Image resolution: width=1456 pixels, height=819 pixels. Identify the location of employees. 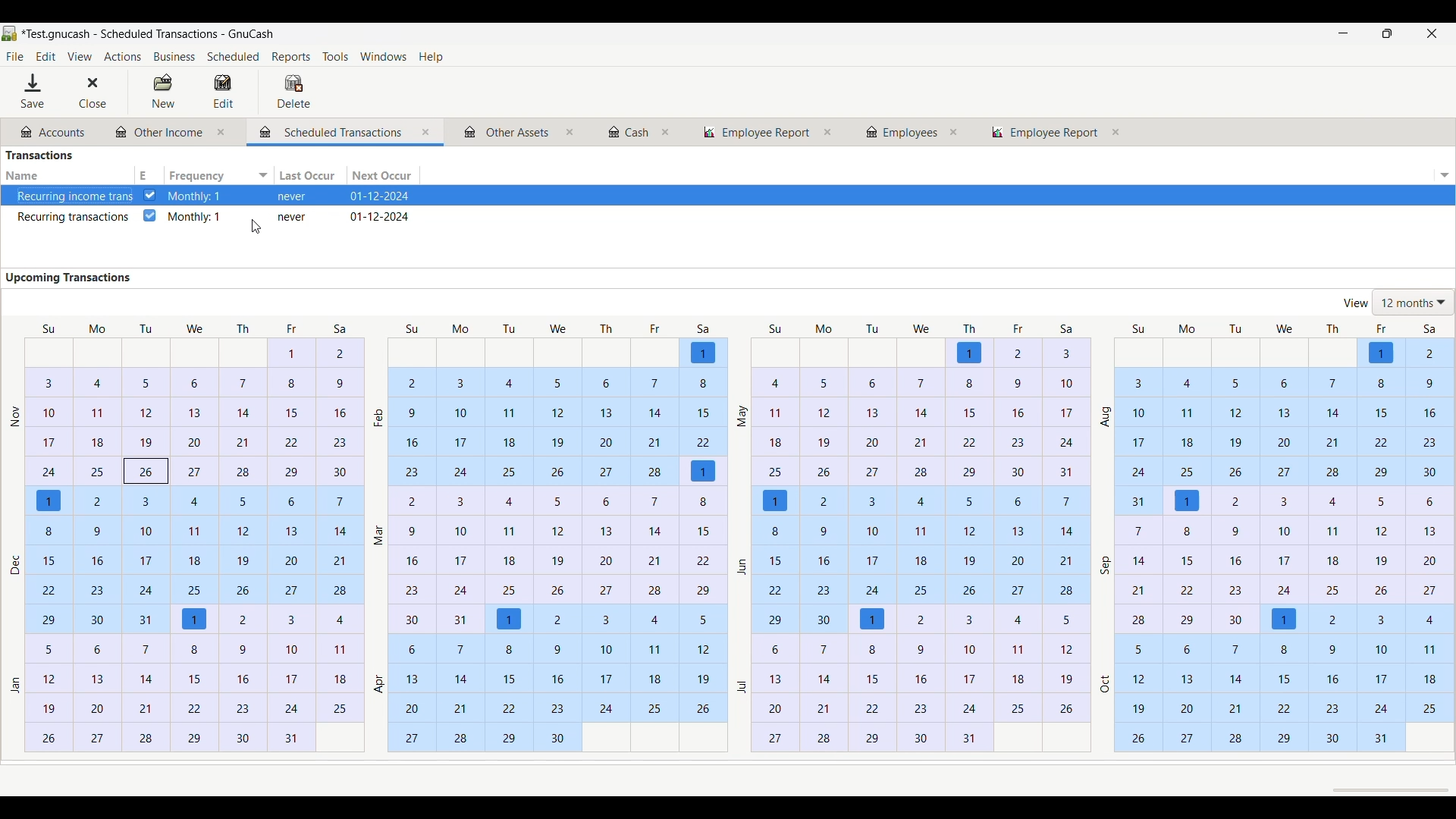
(902, 132).